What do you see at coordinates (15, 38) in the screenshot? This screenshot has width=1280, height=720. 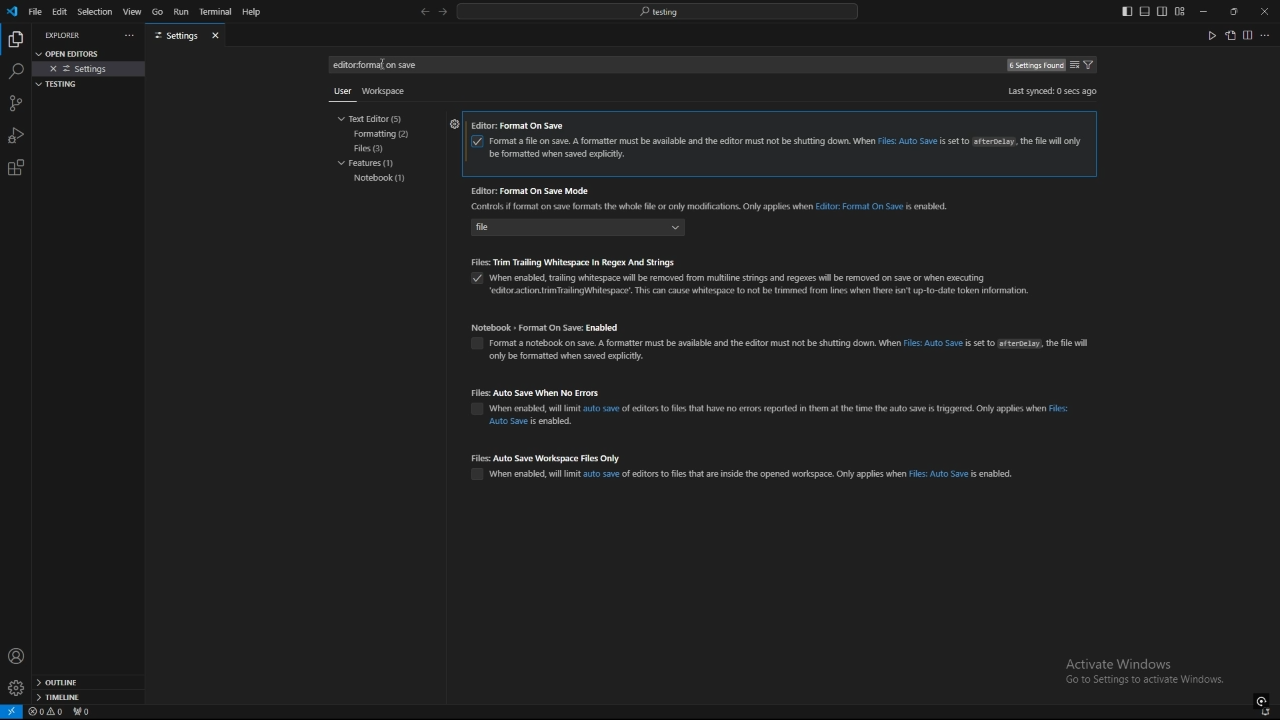 I see `explore` at bounding box center [15, 38].